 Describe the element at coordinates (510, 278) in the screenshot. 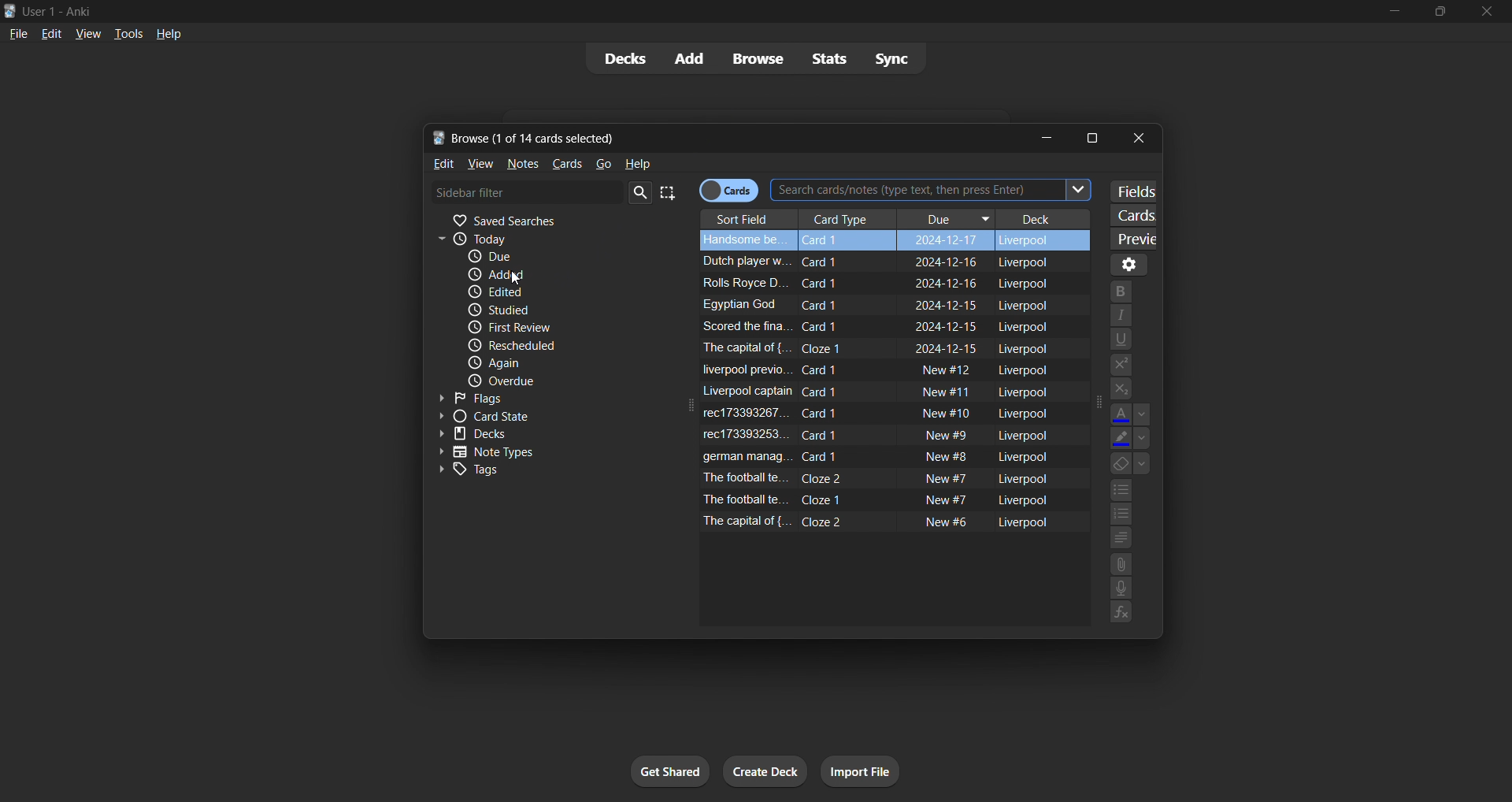

I see `cursor` at that location.